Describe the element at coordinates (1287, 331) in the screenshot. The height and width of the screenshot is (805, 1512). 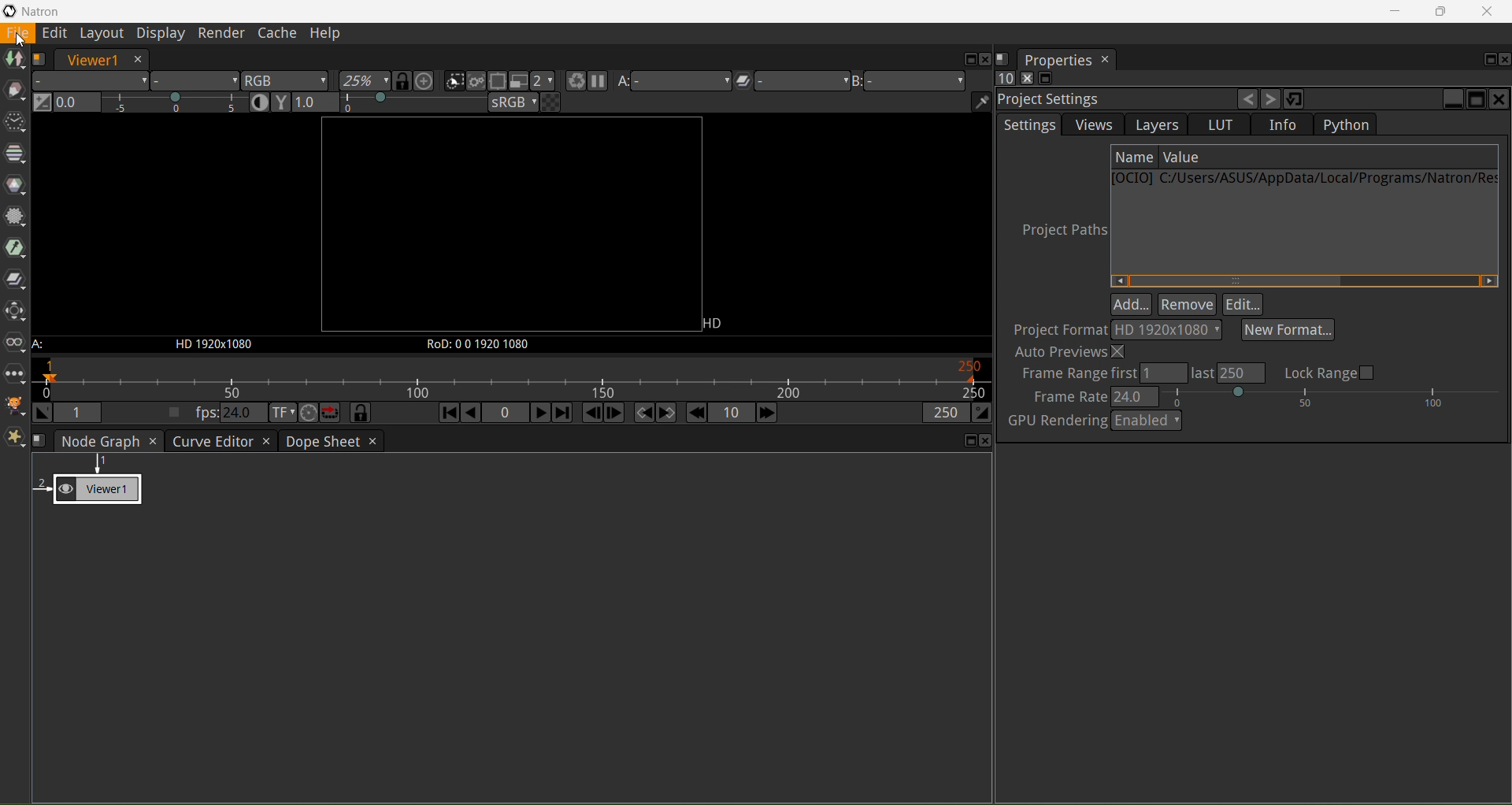
I see `Select New Format` at that location.